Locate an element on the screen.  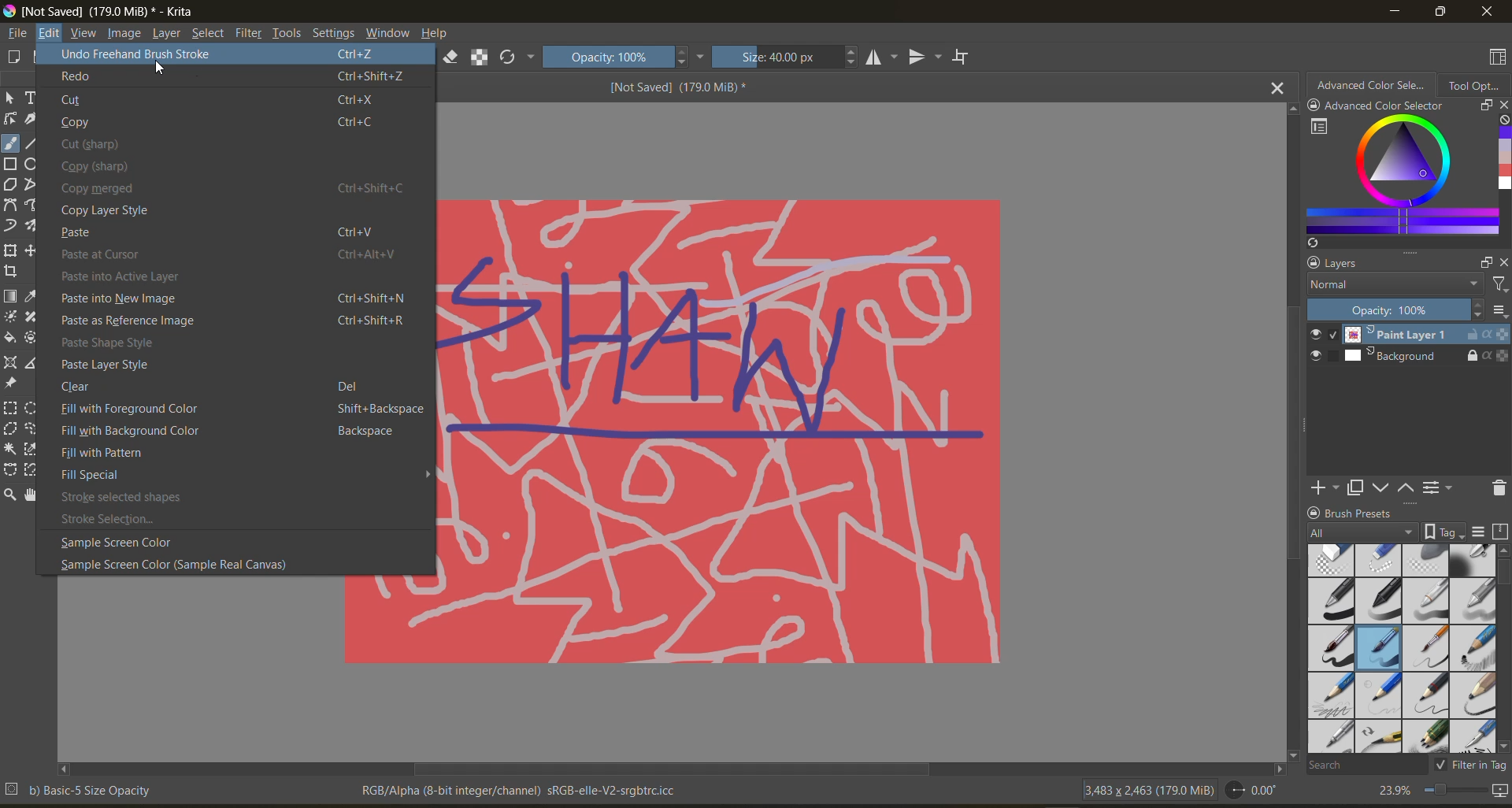
float docker is located at coordinates (1484, 261).